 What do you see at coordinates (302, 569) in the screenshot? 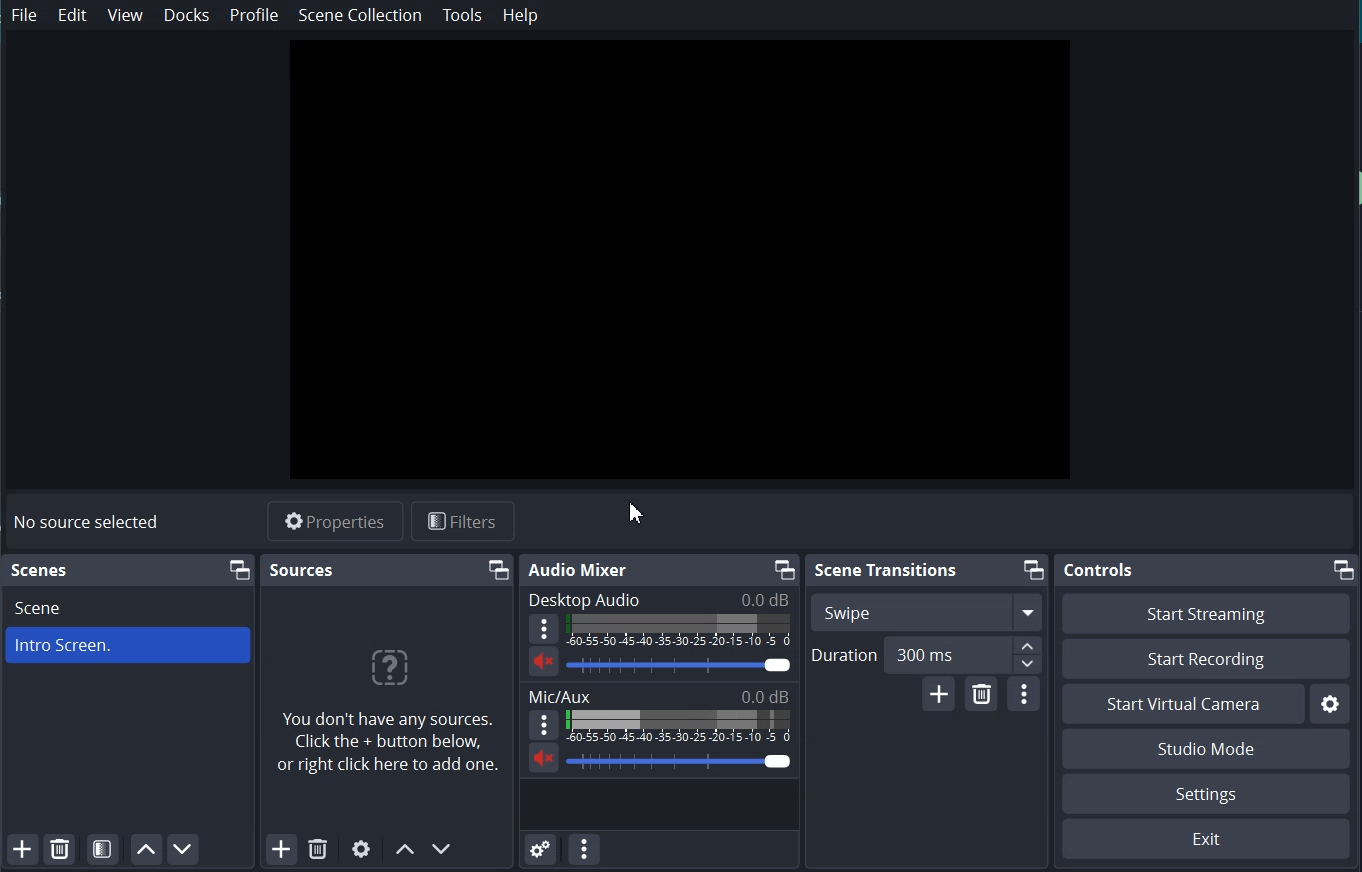
I see `Source` at bounding box center [302, 569].